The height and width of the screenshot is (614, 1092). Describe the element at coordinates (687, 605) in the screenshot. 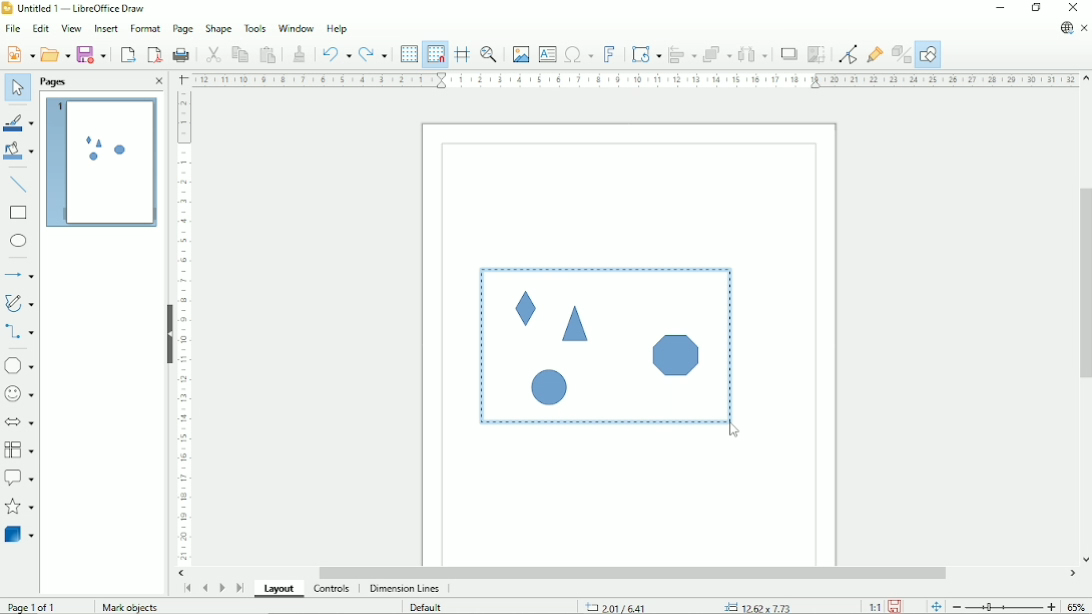

I see `Cursor position` at that location.